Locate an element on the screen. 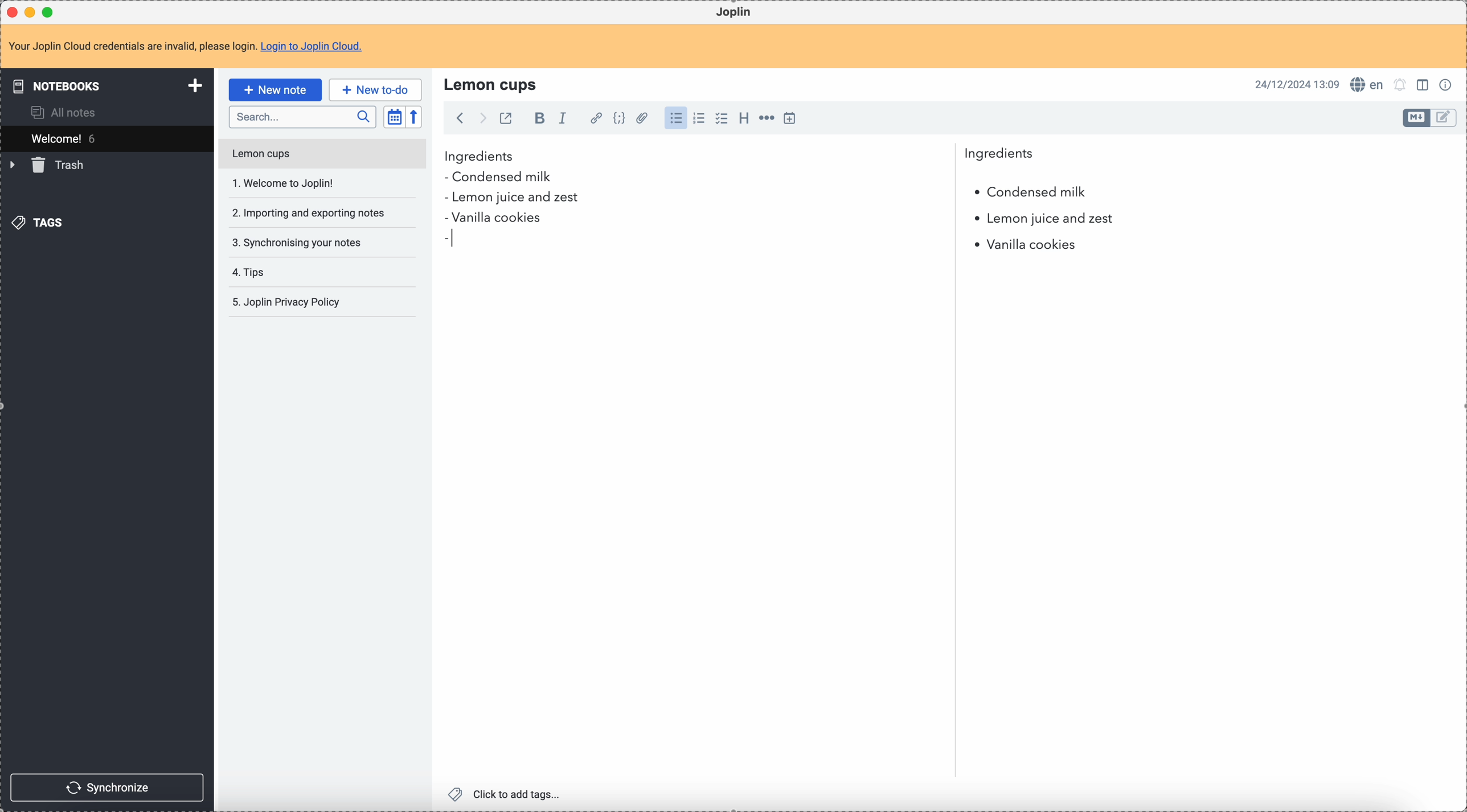 The image size is (1467, 812). reverse sort order is located at coordinates (416, 117).